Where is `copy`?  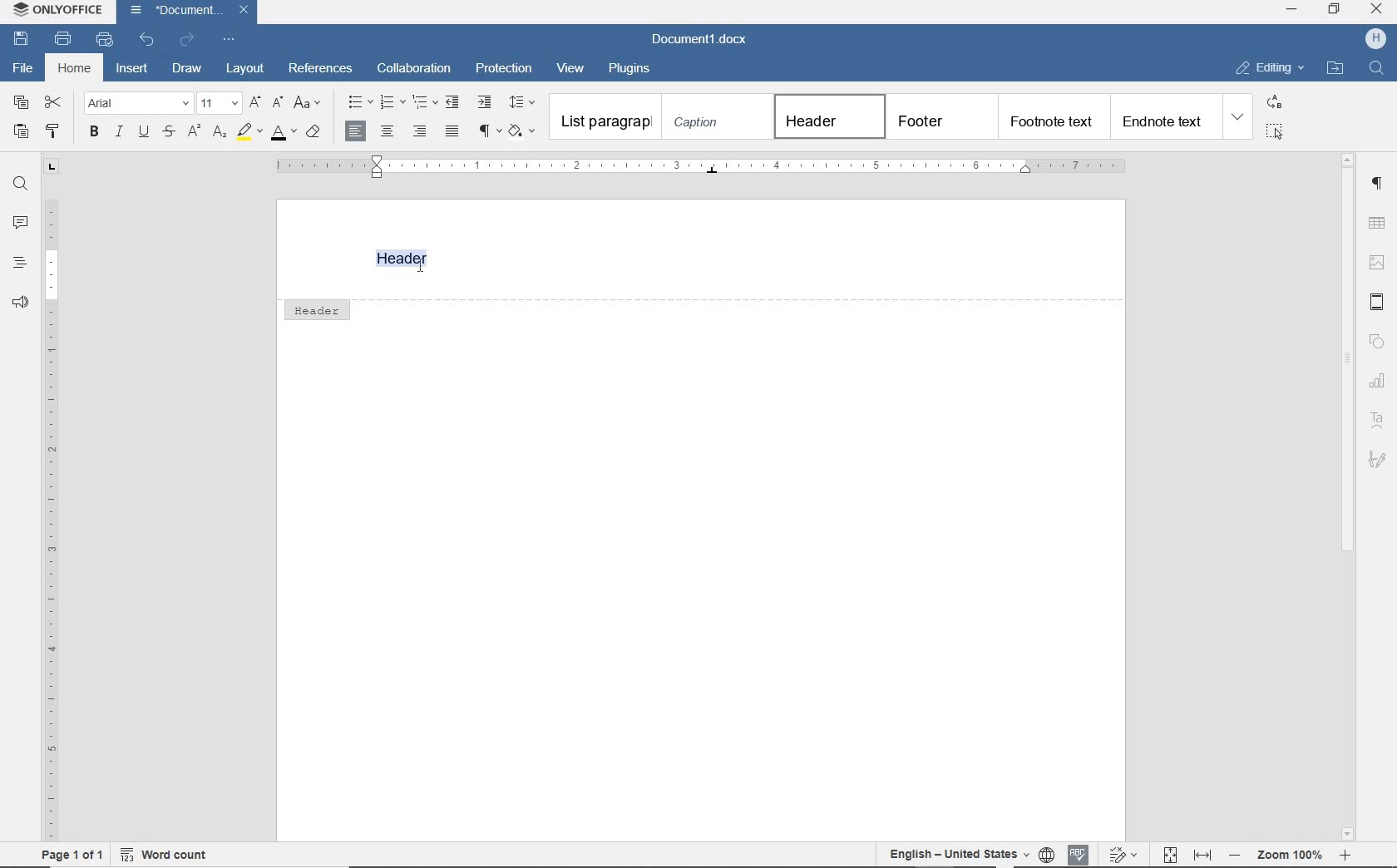
copy is located at coordinates (22, 104).